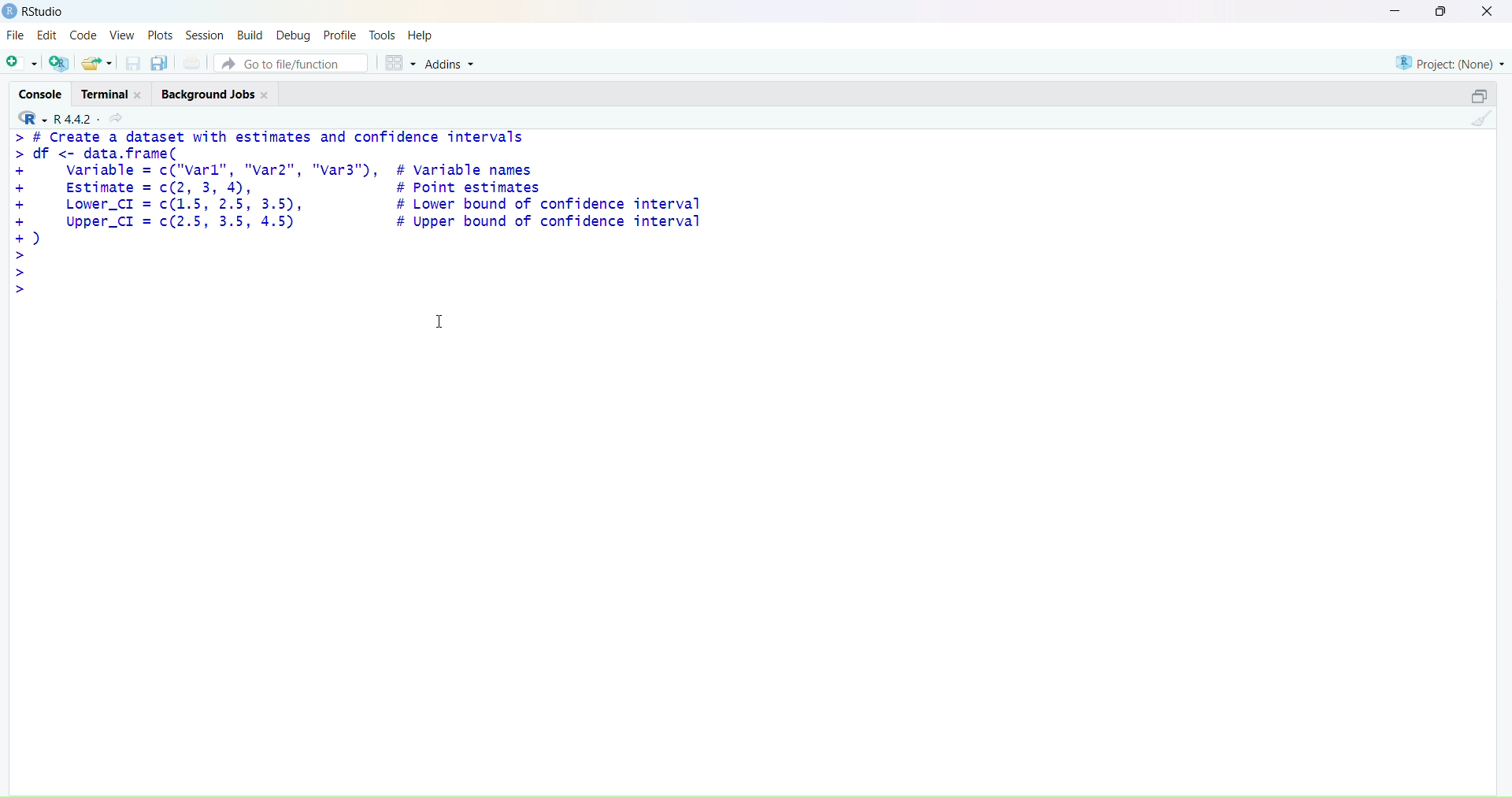 This screenshot has height=797, width=1512. Describe the element at coordinates (115, 118) in the screenshot. I see `share current directory` at that location.